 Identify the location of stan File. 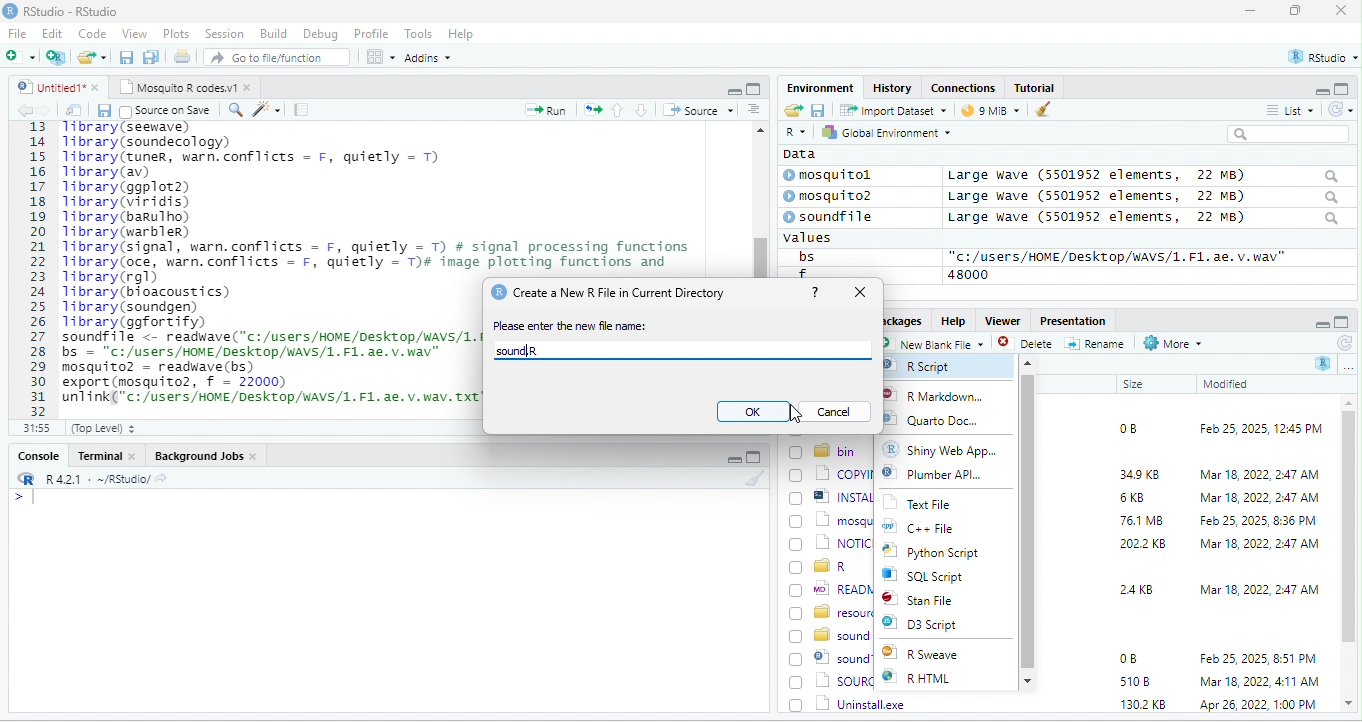
(933, 601).